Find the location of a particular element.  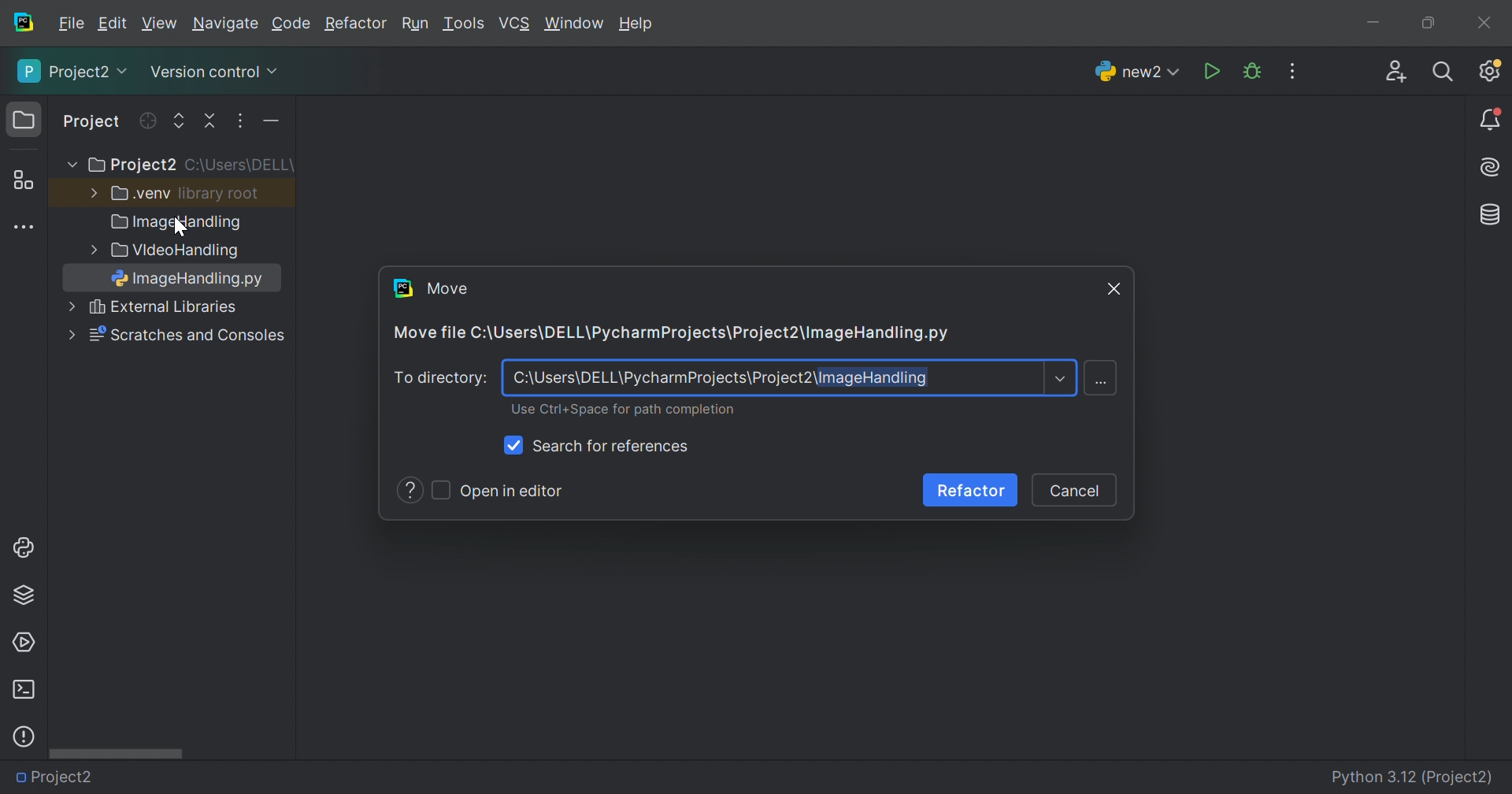

Expand all is located at coordinates (180, 122).